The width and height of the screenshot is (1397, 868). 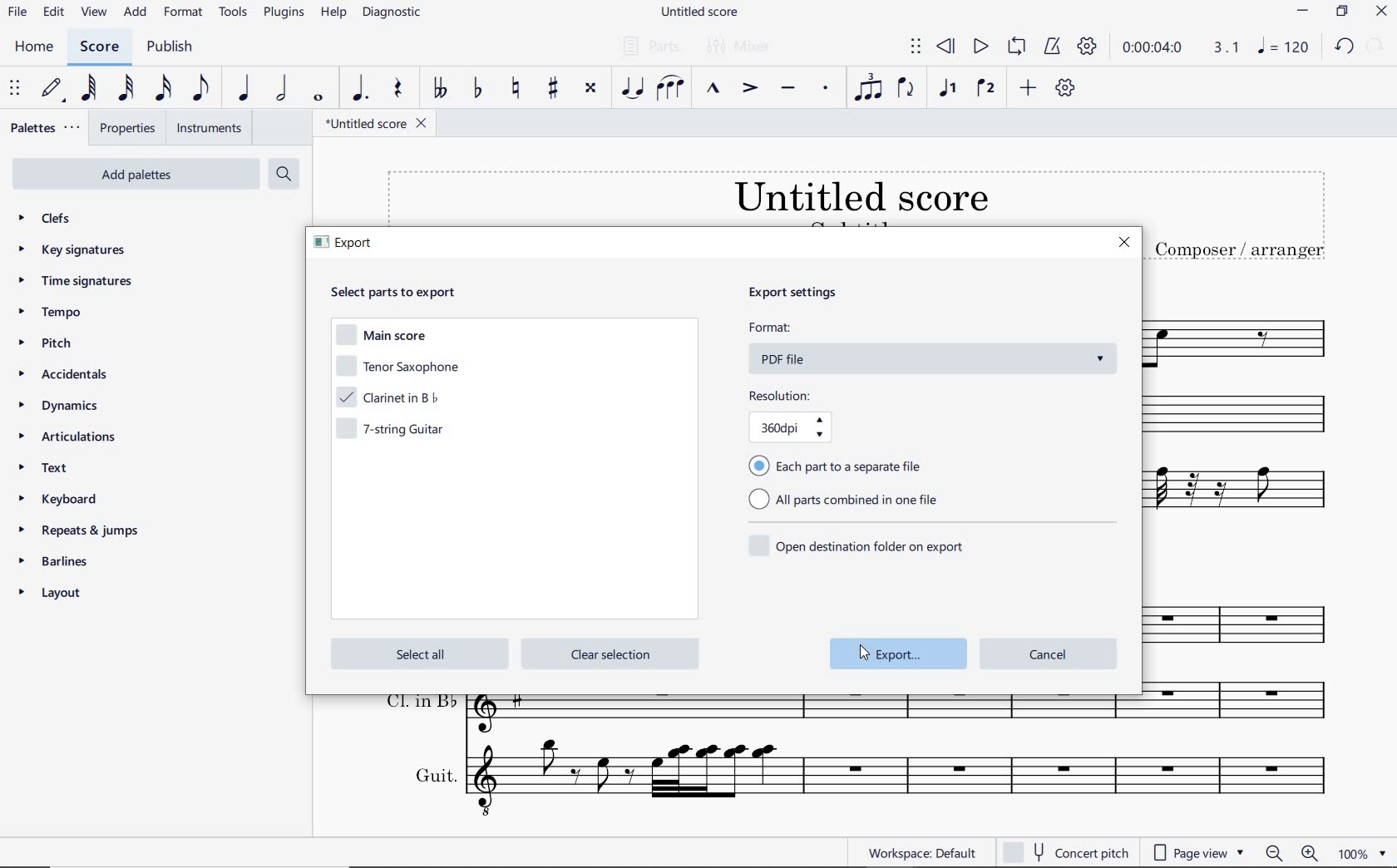 What do you see at coordinates (1239, 216) in the screenshot?
I see `TITLE` at bounding box center [1239, 216].